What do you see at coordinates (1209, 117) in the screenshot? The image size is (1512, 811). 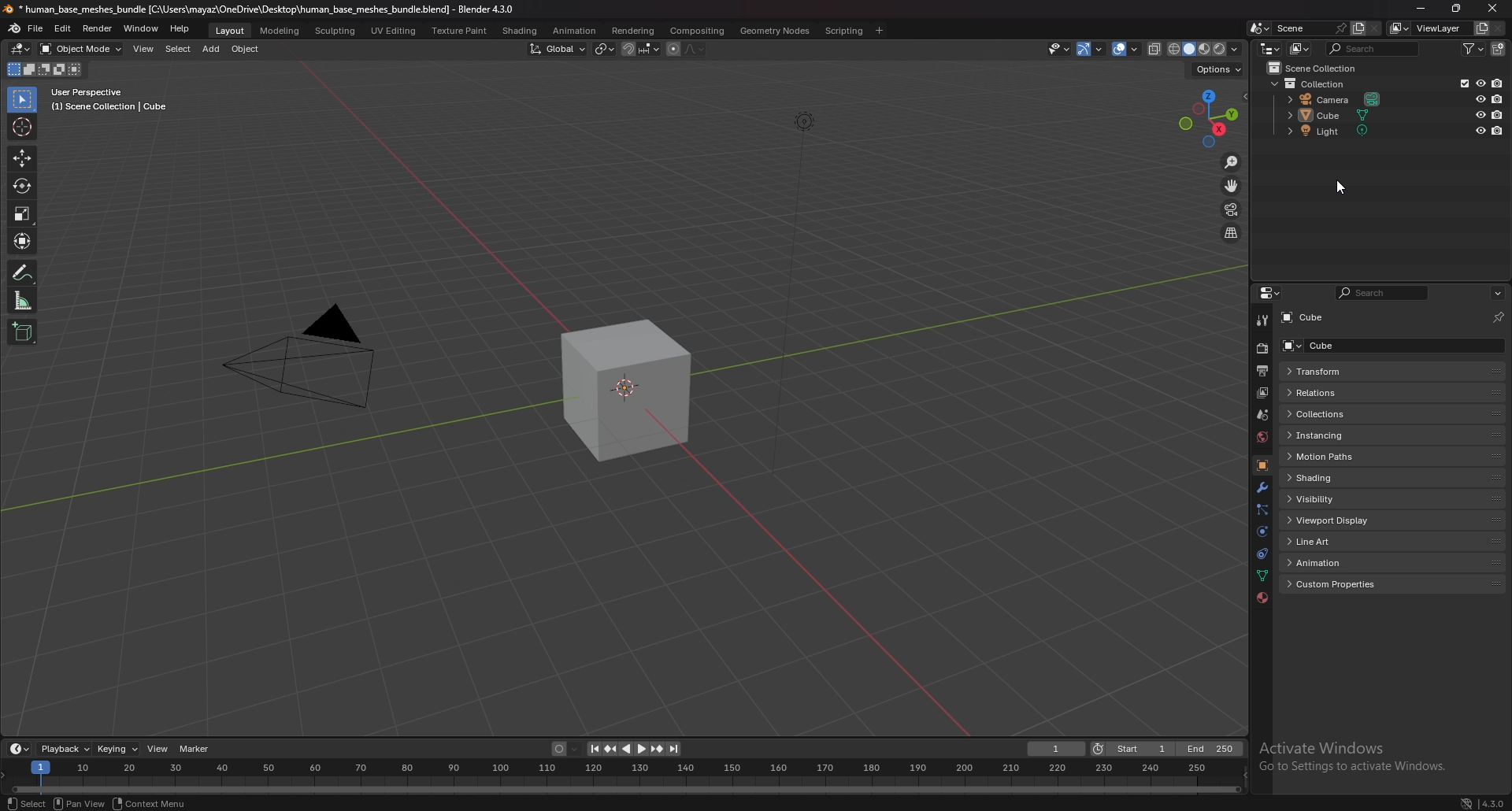 I see `use a preset viewport` at bounding box center [1209, 117].